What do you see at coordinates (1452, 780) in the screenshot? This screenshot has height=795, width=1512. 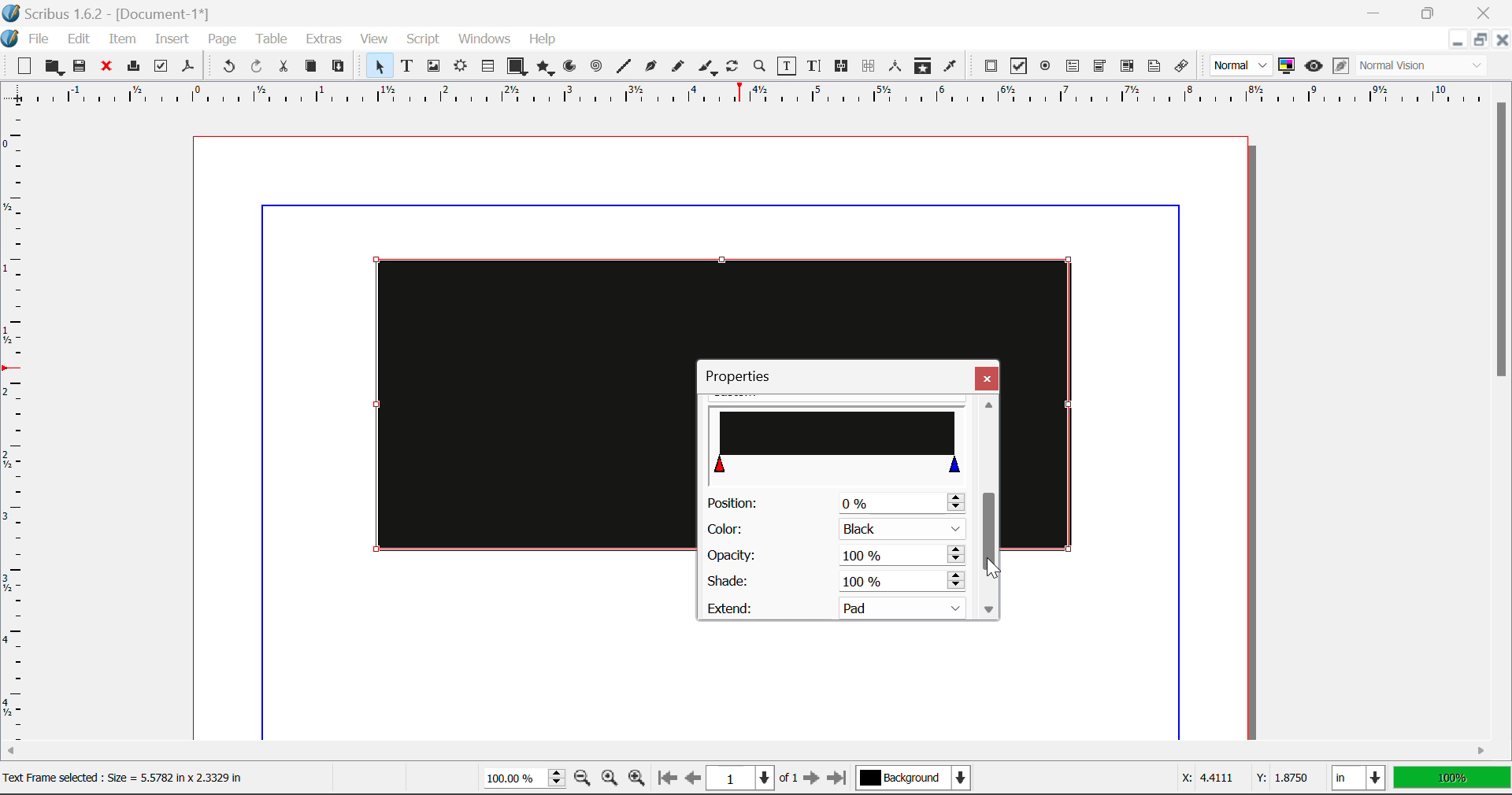 I see `Display Measurement` at bounding box center [1452, 780].